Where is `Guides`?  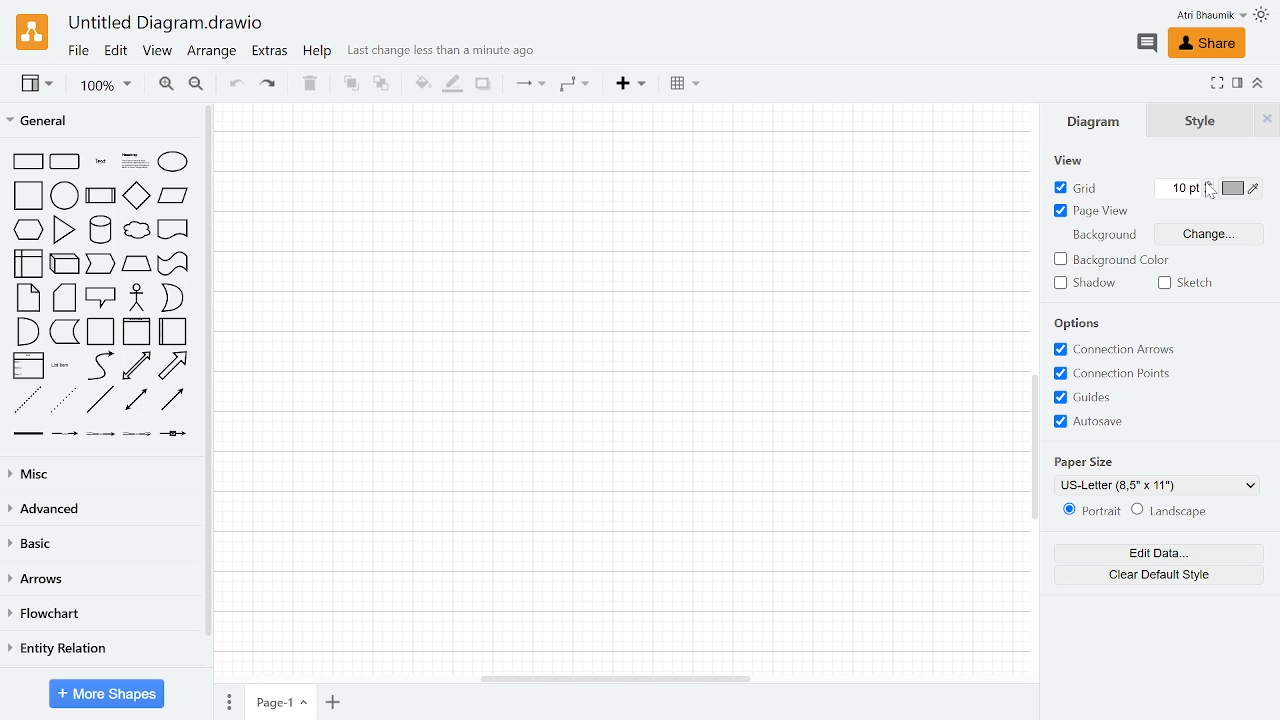 Guides is located at coordinates (1114, 397).